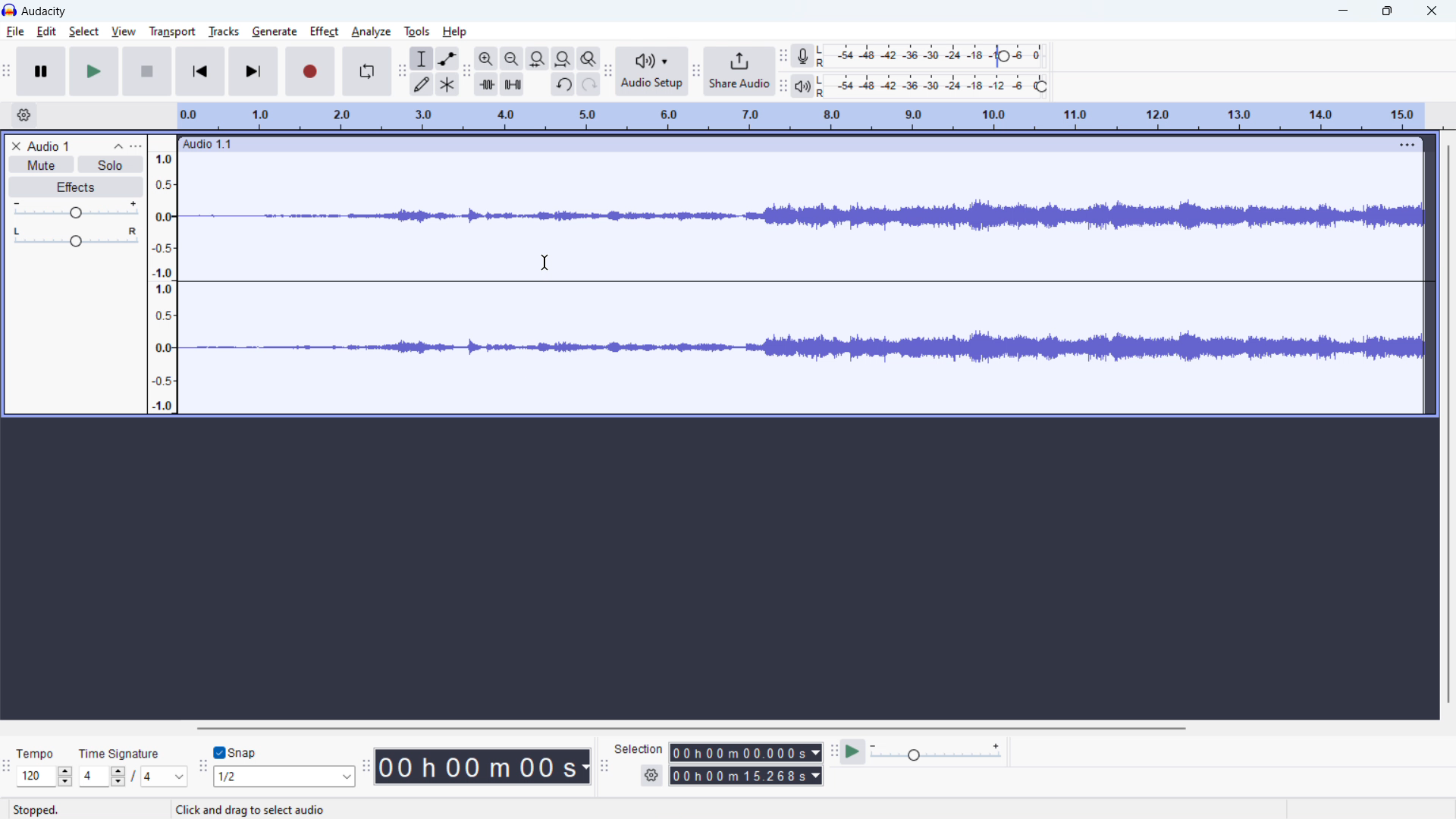 This screenshot has width=1456, height=819. What do you see at coordinates (589, 83) in the screenshot?
I see `redo` at bounding box center [589, 83].